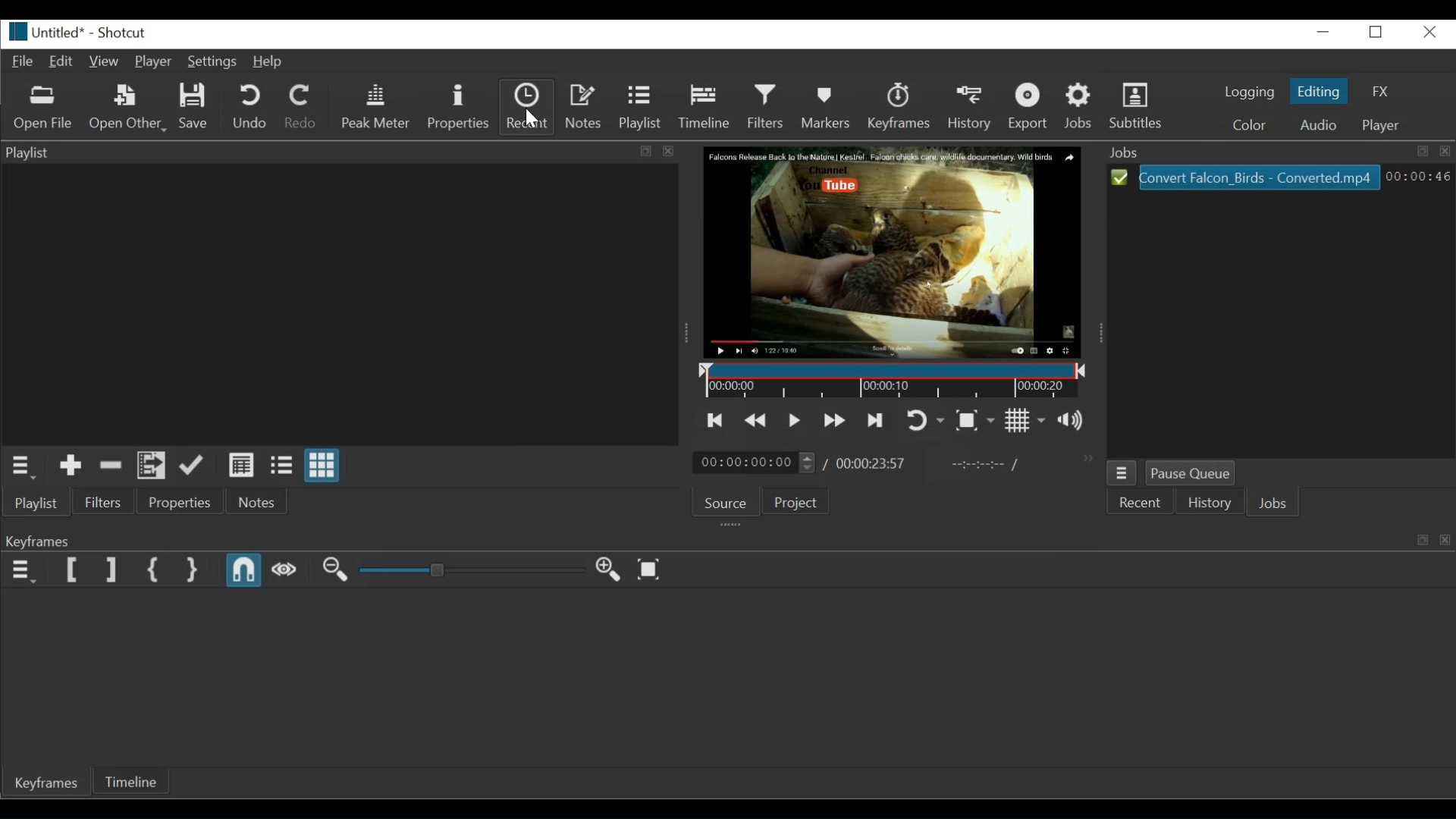 This screenshot has width=1456, height=819. Describe the element at coordinates (335, 570) in the screenshot. I see `Zoom Keyframe out` at that location.